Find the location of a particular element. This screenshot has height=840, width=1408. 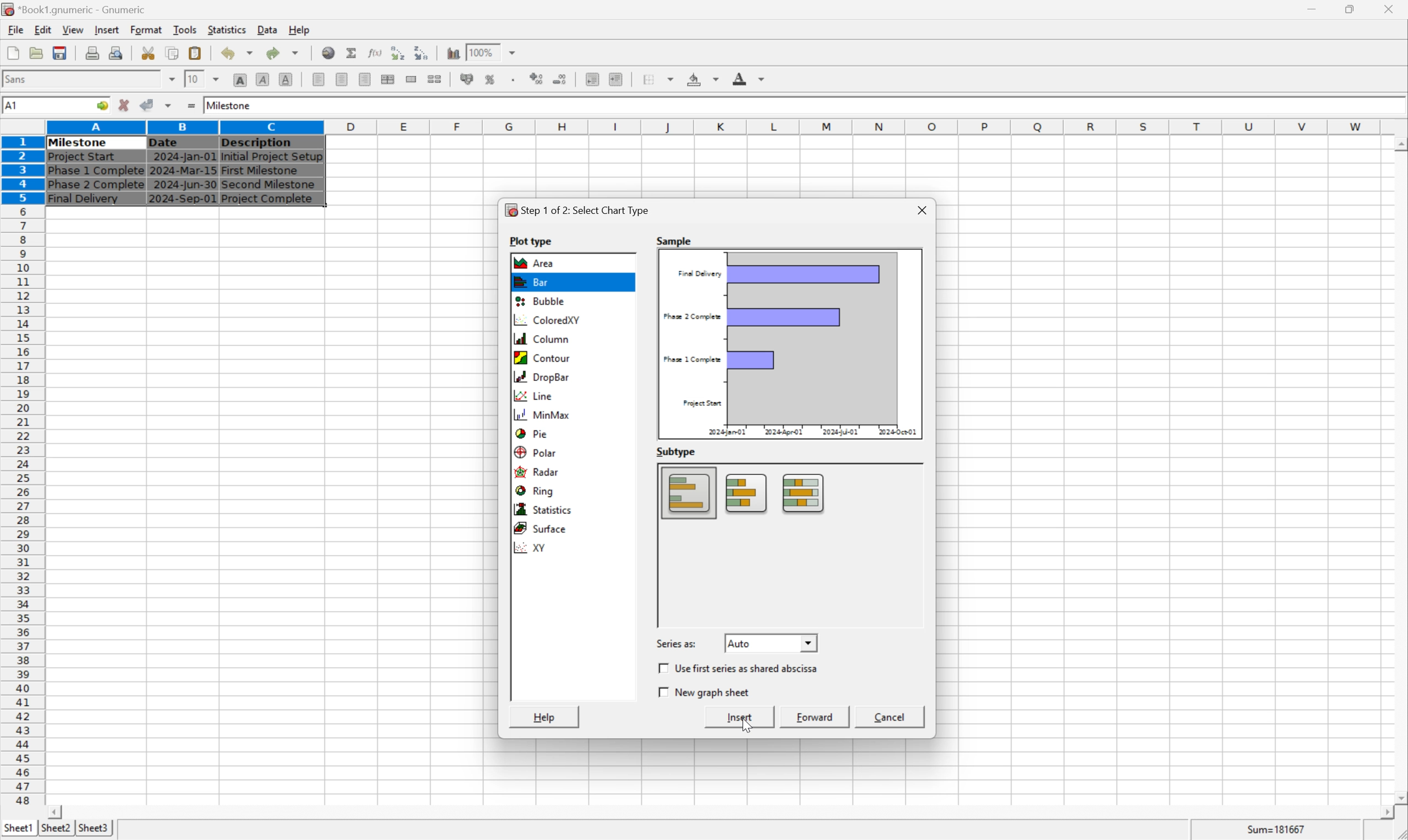

bar chart subtype is located at coordinates (747, 494).